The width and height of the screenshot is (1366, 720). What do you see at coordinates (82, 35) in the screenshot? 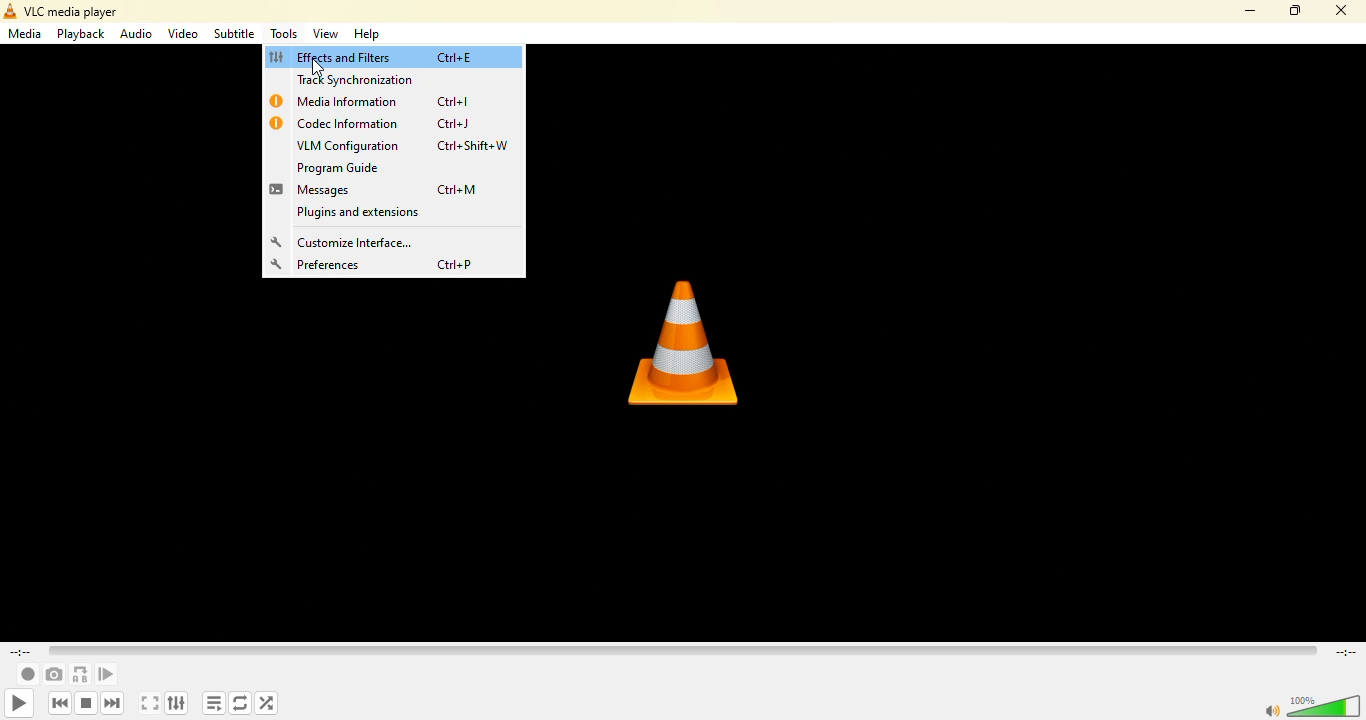
I see `playback` at bounding box center [82, 35].